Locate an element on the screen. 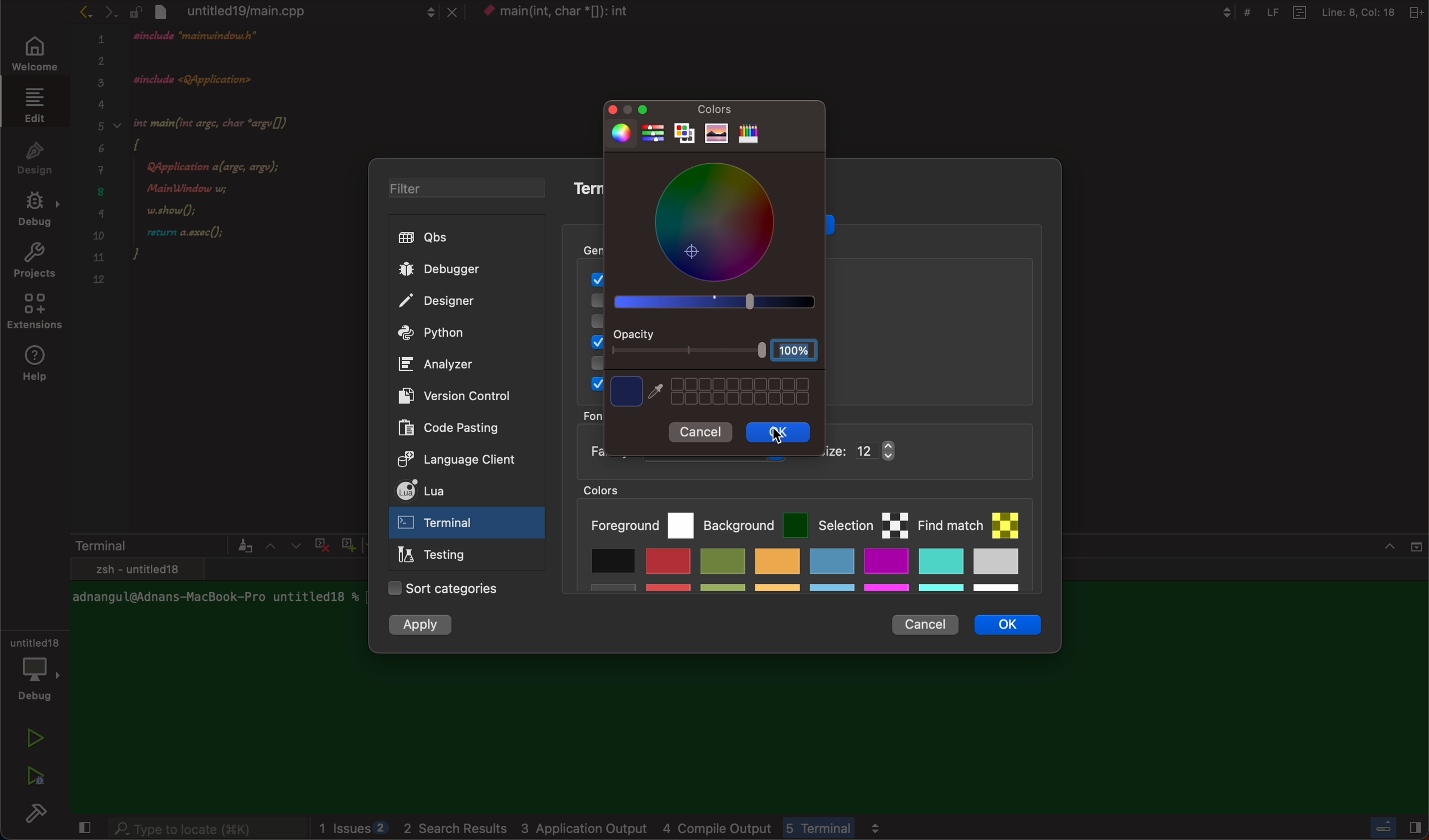 The image size is (1429, 840). Background  is located at coordinates (756, 522).